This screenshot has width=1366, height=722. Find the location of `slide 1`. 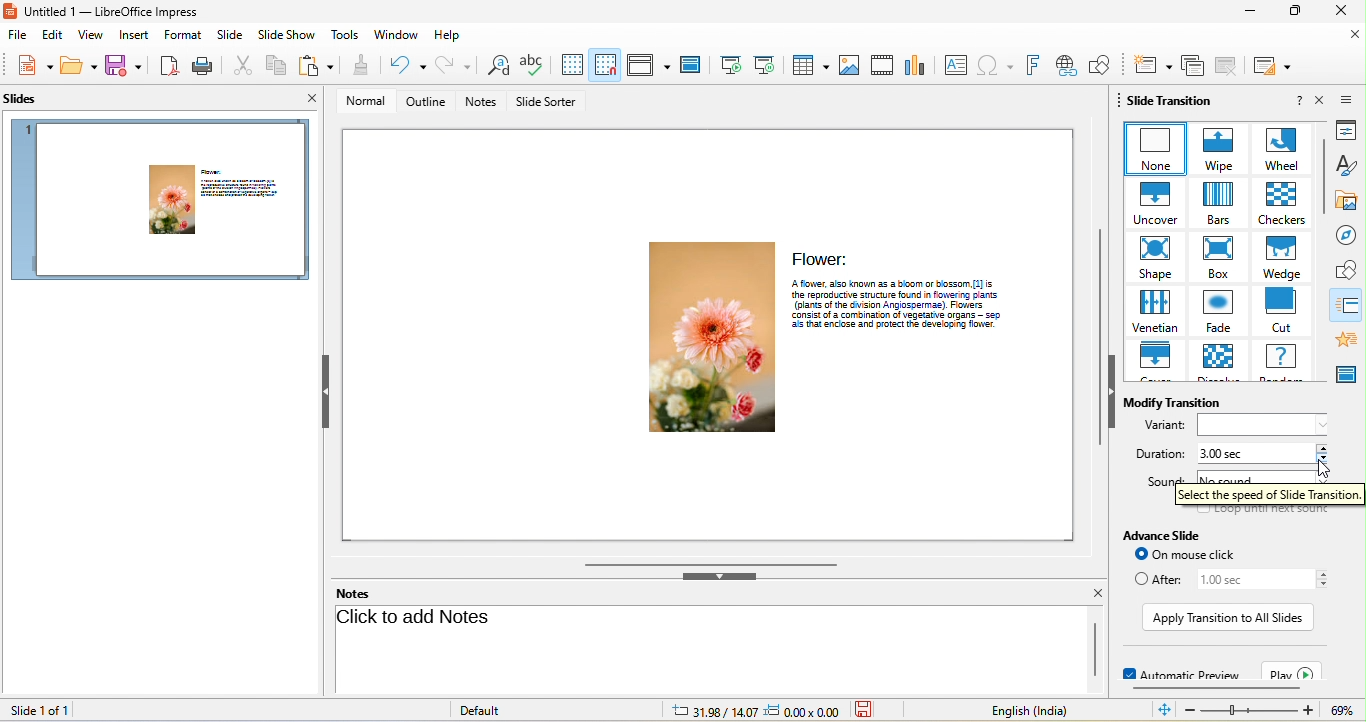

slide 1 is located at coordinates (163, 202).